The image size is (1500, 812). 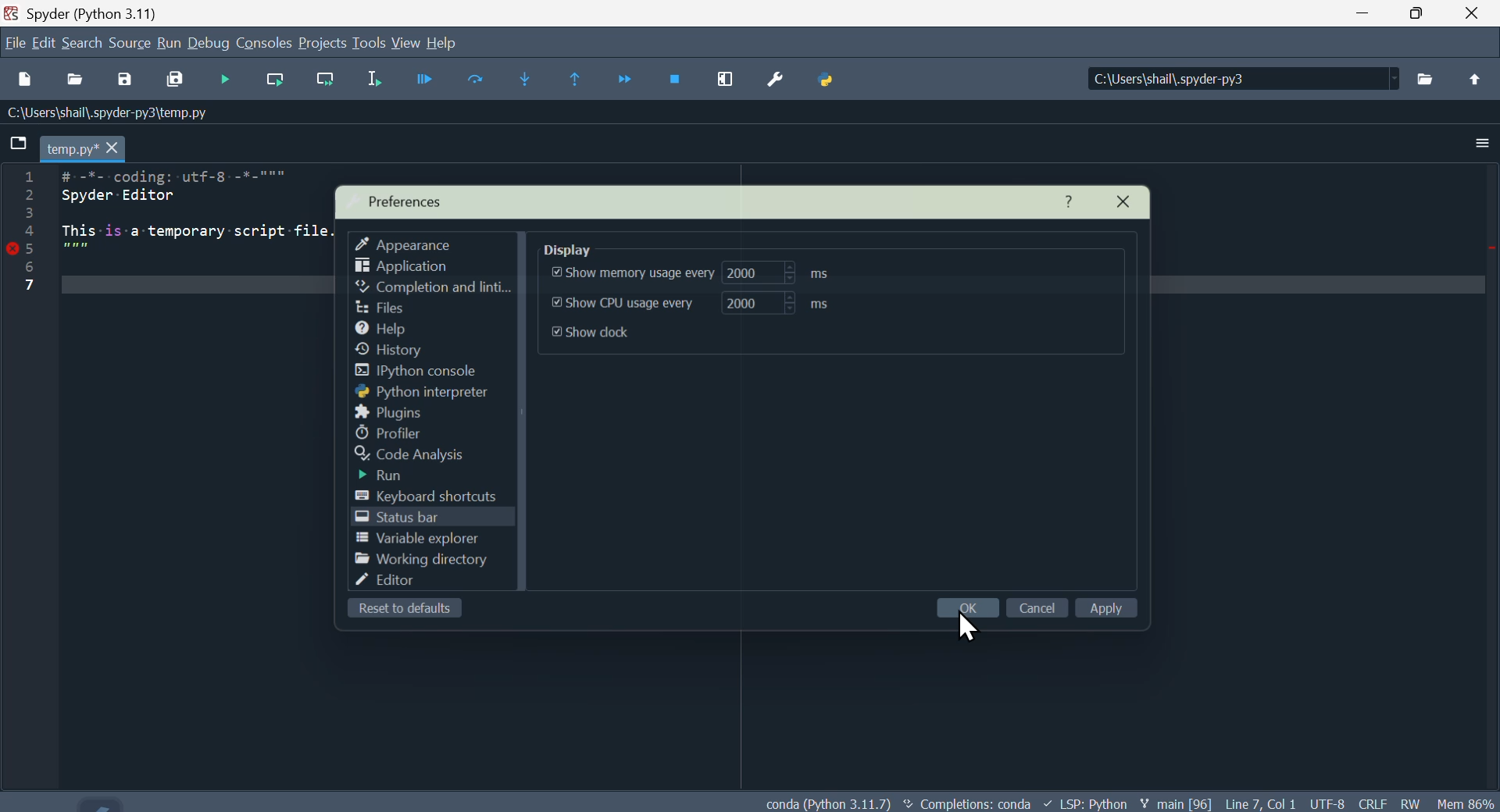 What do you see at coordinates (378, 305) in the screenshot?
I see `file` at bounding box center [378, 305].